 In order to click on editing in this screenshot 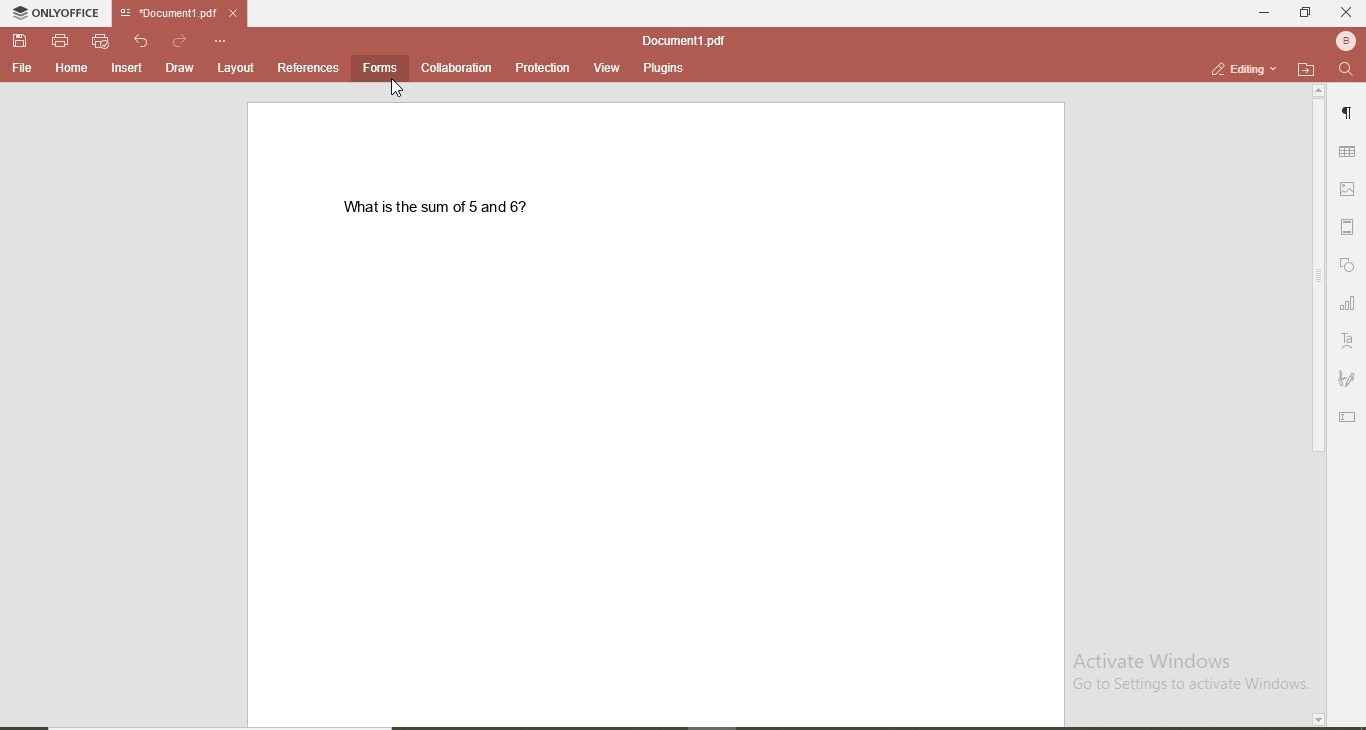, I will do `click(1235, 68)`.